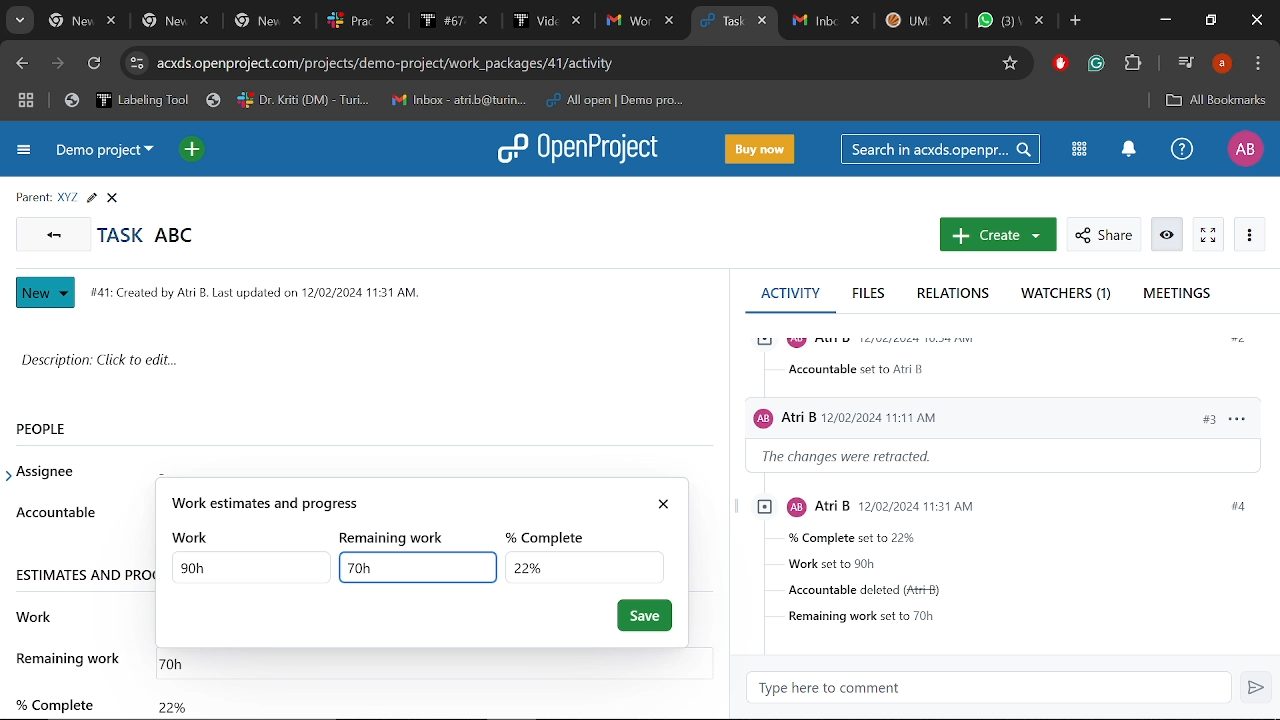 The height and width of the screenshot is (720, 1280). Describe the element at coordinates (1258, 64) in the screenshot. I see `Control and customize chrome` at that location.